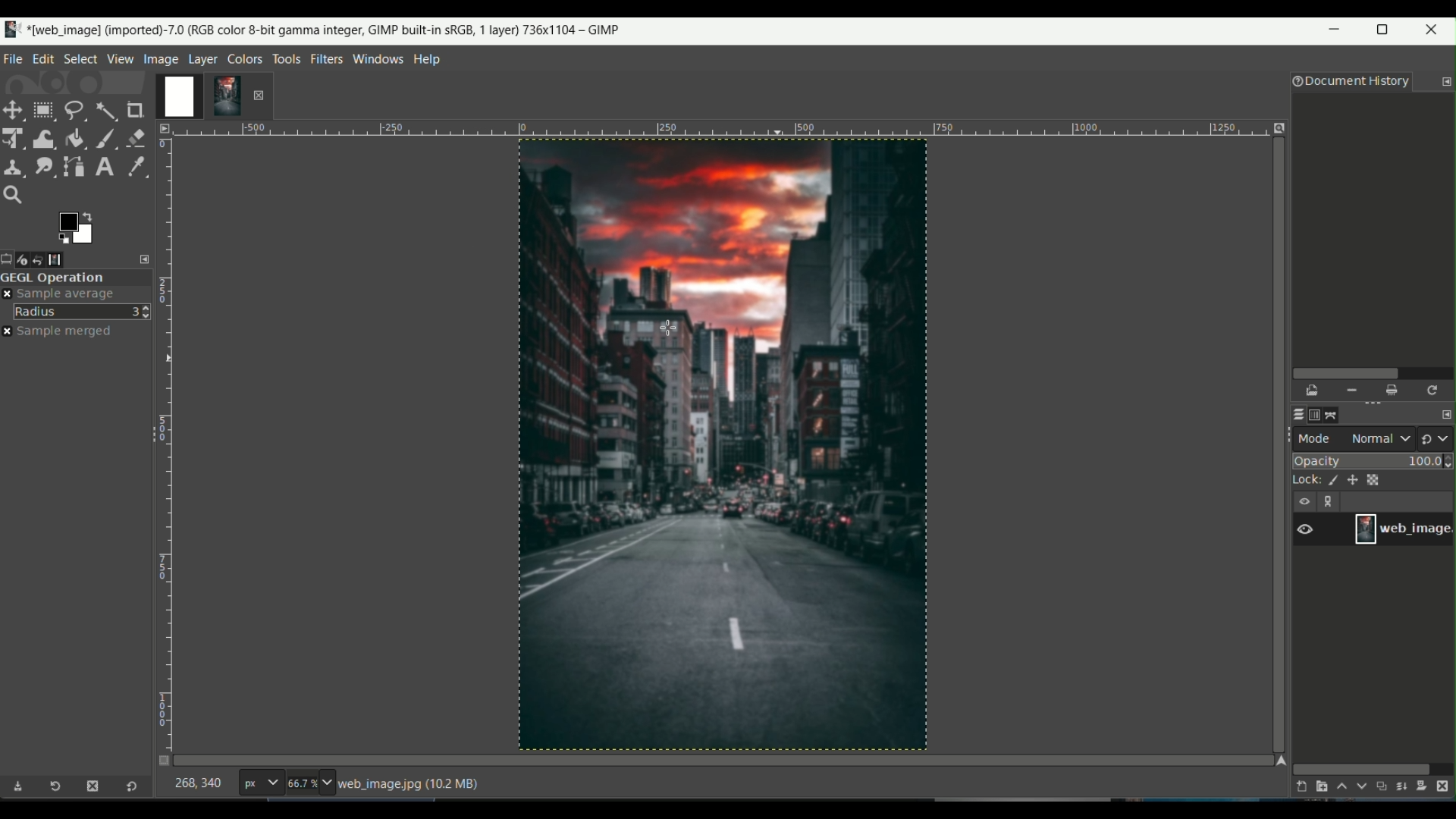  What do you see at coordinates (1332, 503) in the screenshot?
I see `options` at bounding box center [1332, 503].